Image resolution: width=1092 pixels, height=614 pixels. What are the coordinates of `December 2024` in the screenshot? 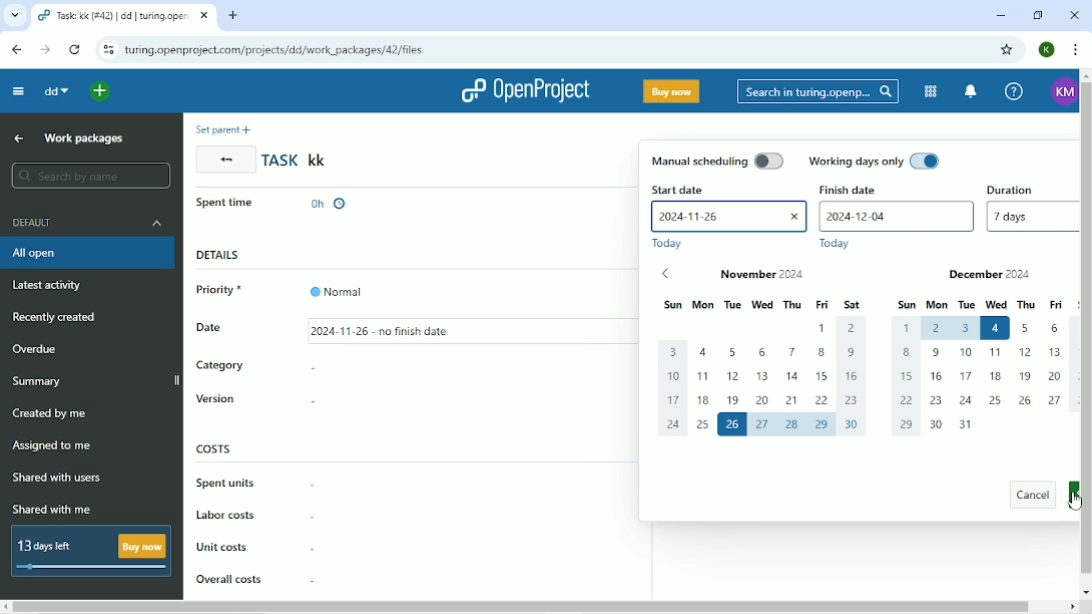 It's located at (981, 273).